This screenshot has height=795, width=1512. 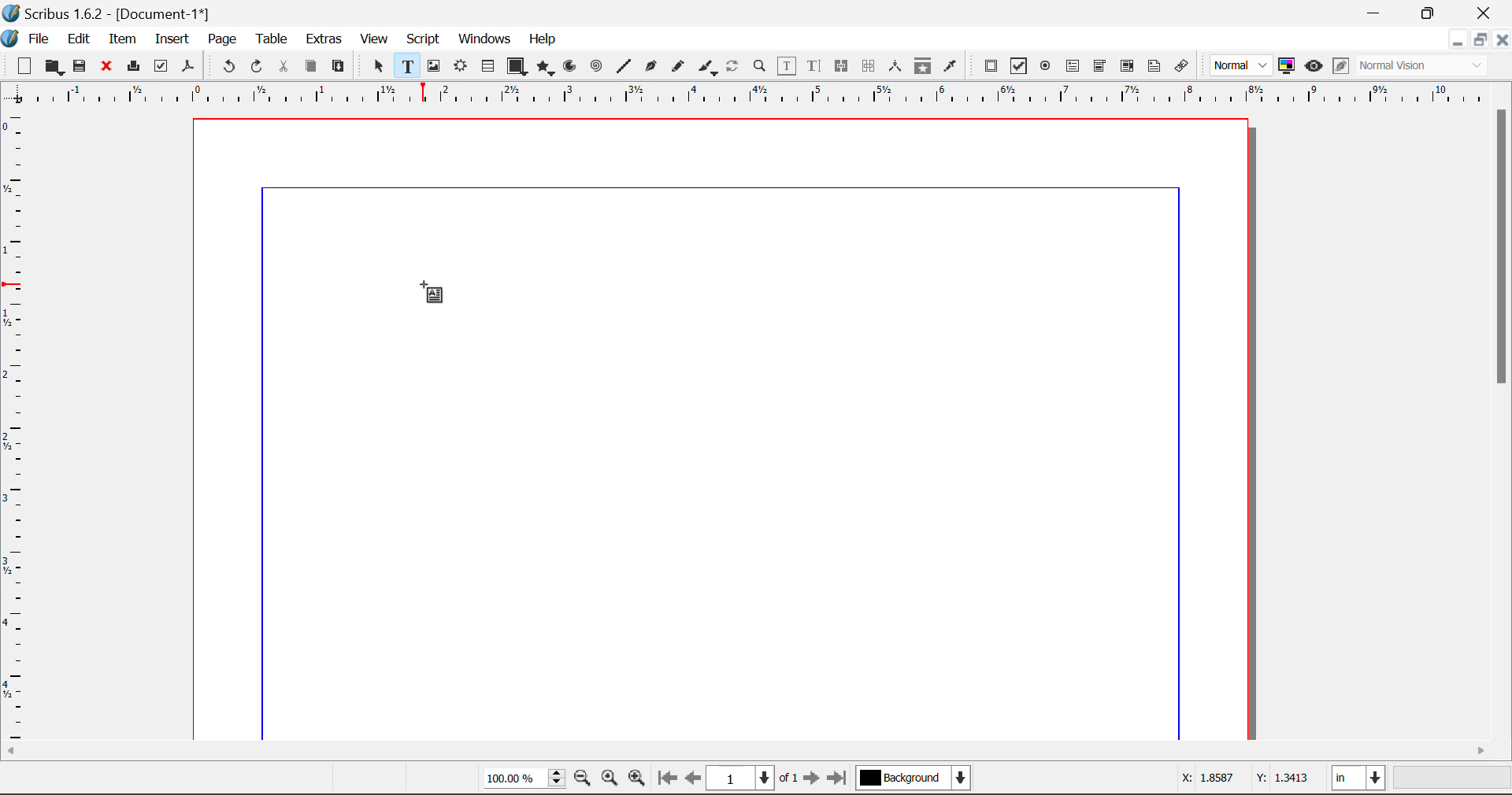 I want to click on Close, so click(x=1485, y=13).